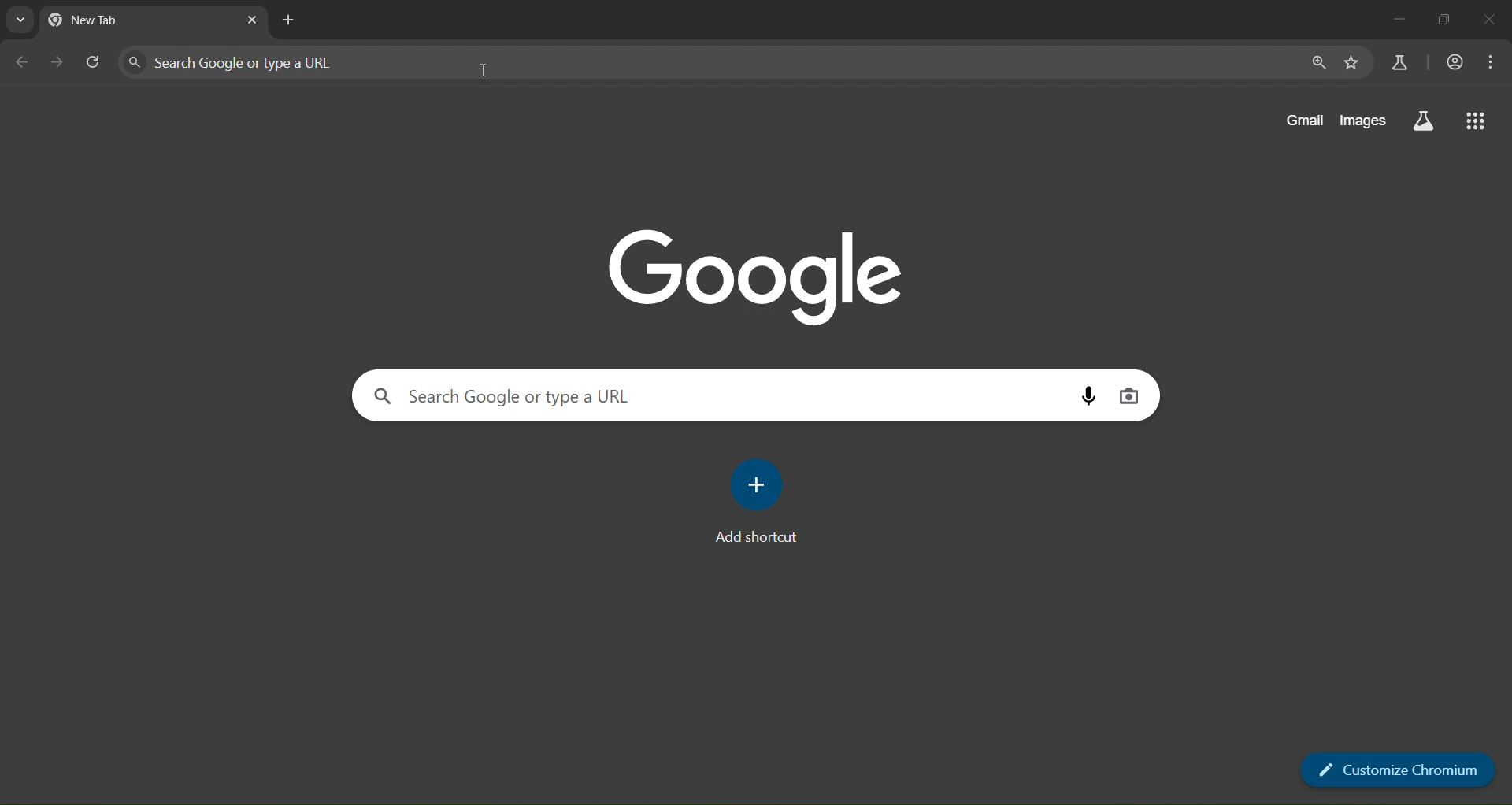  What do you see at coordinates (254, 20) in the screenshot?
I see `close tab` at bounding box center [254, 20].